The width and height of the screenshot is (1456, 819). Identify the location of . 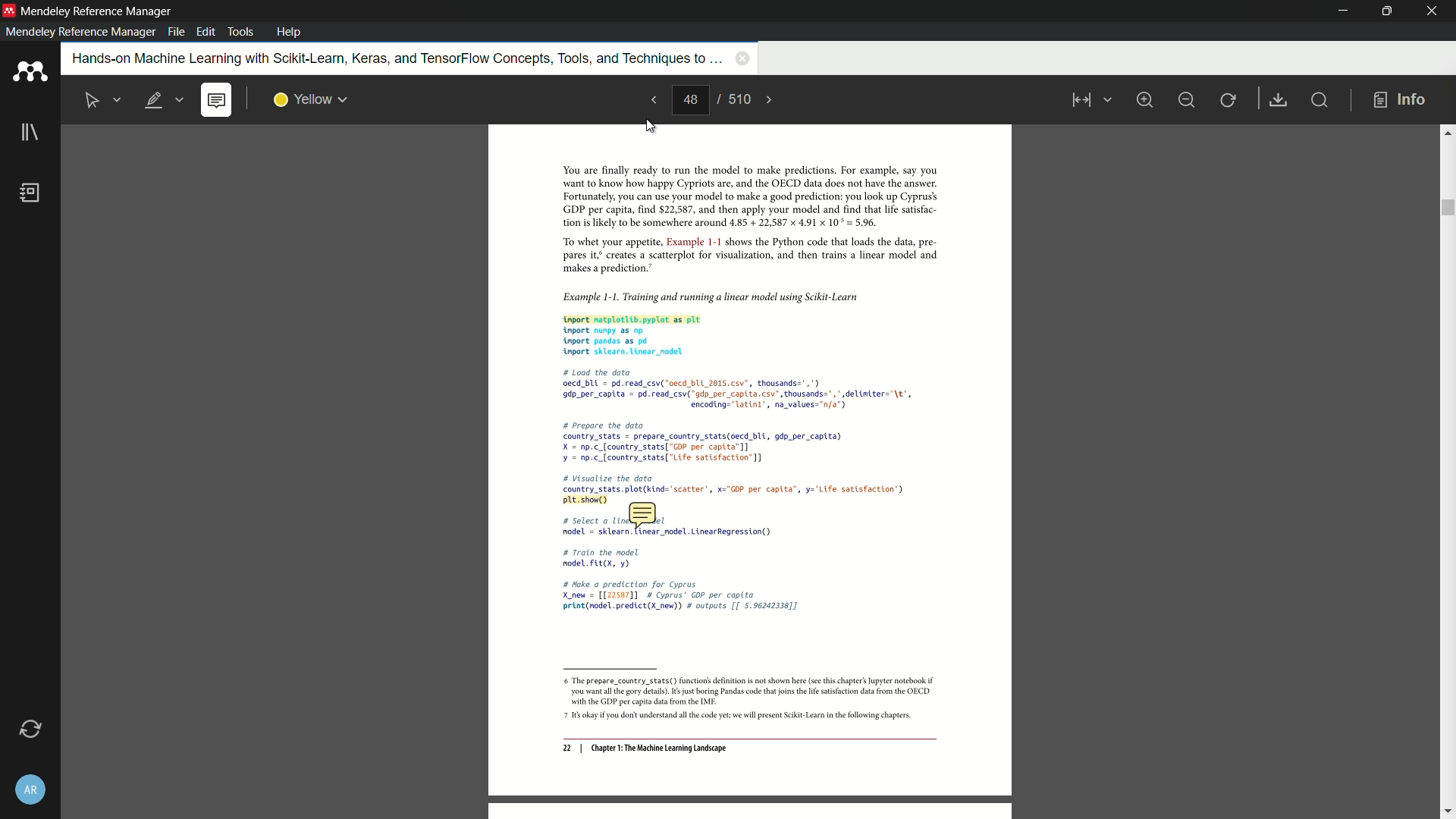
(684, 574).